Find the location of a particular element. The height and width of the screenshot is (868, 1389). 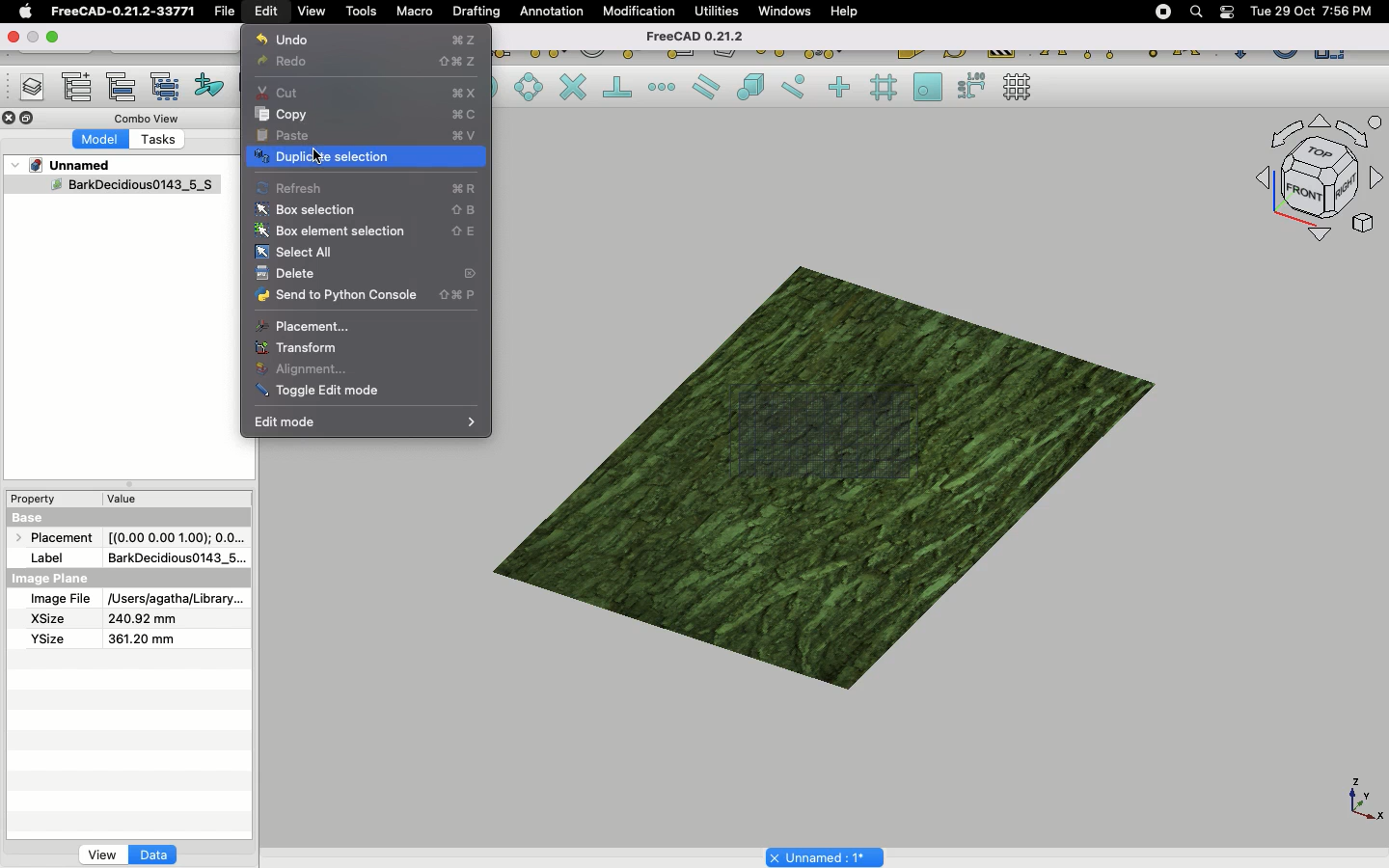

Edit mode is located at coordinates (368, 422).